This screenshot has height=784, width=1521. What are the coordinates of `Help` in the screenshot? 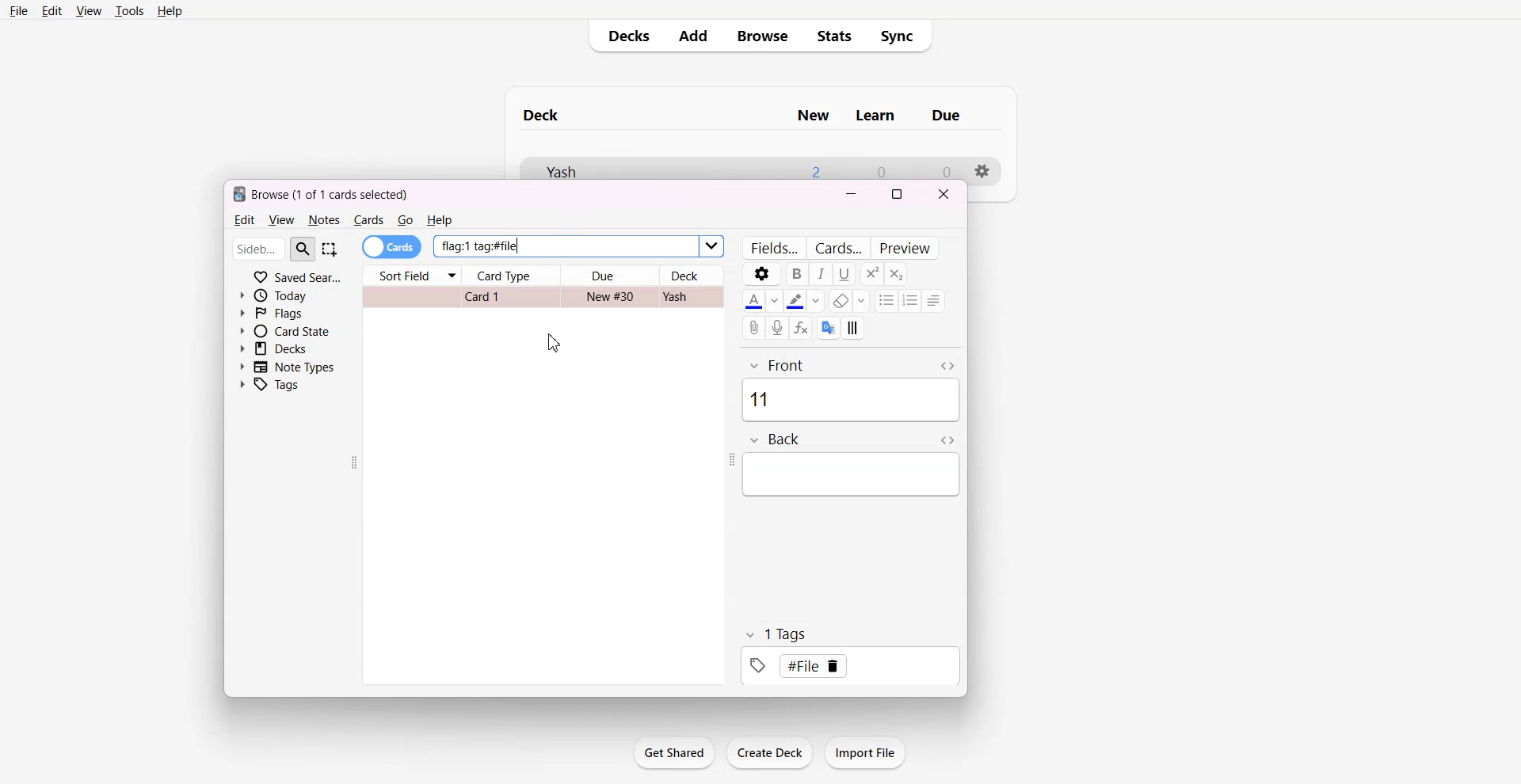 It's located at (170, 10).